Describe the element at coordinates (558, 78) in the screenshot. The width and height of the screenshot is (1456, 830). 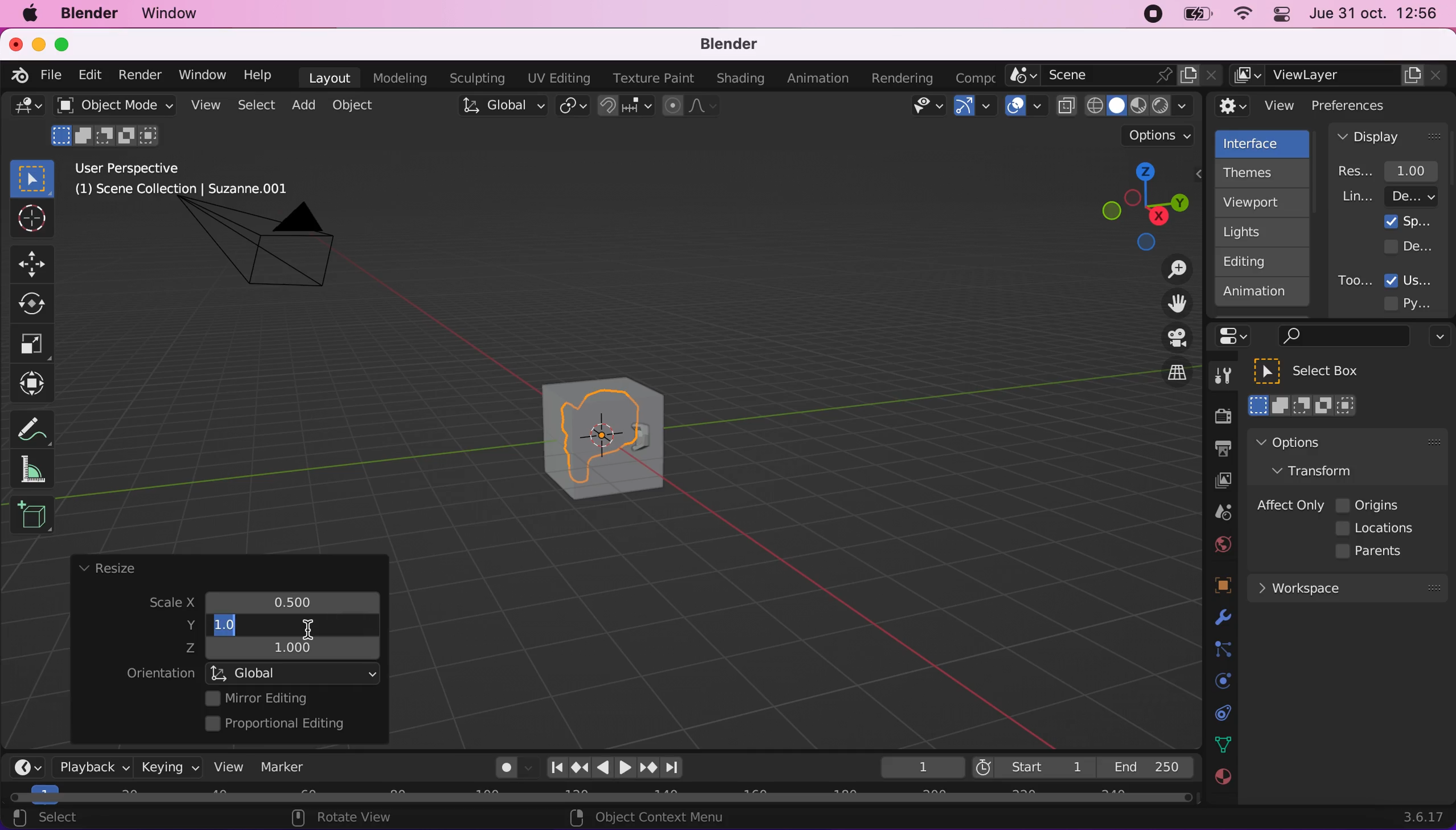
I see `uv editing` at that location.